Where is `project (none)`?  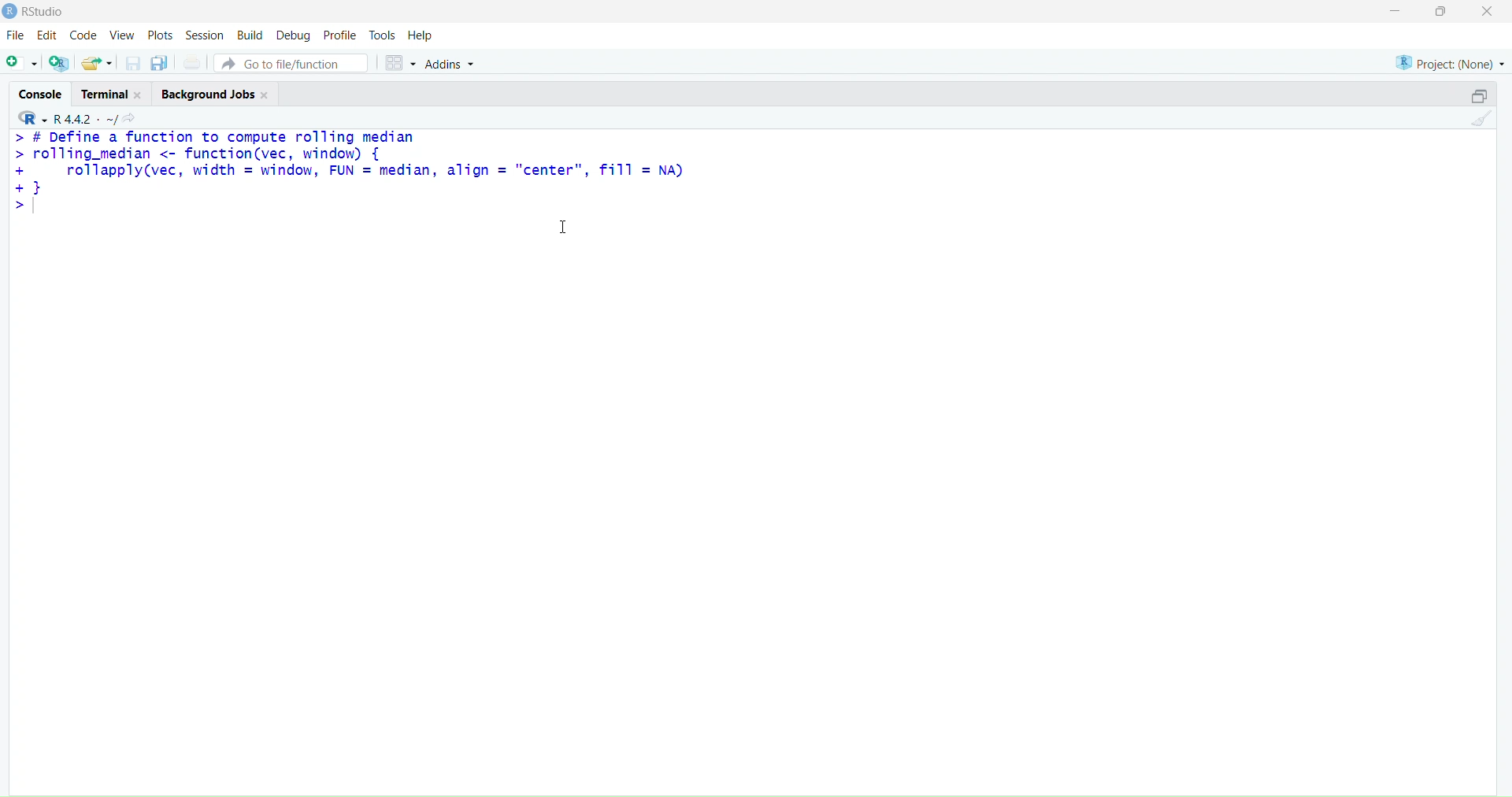
project (none) is located at coordinates (1450, 63).